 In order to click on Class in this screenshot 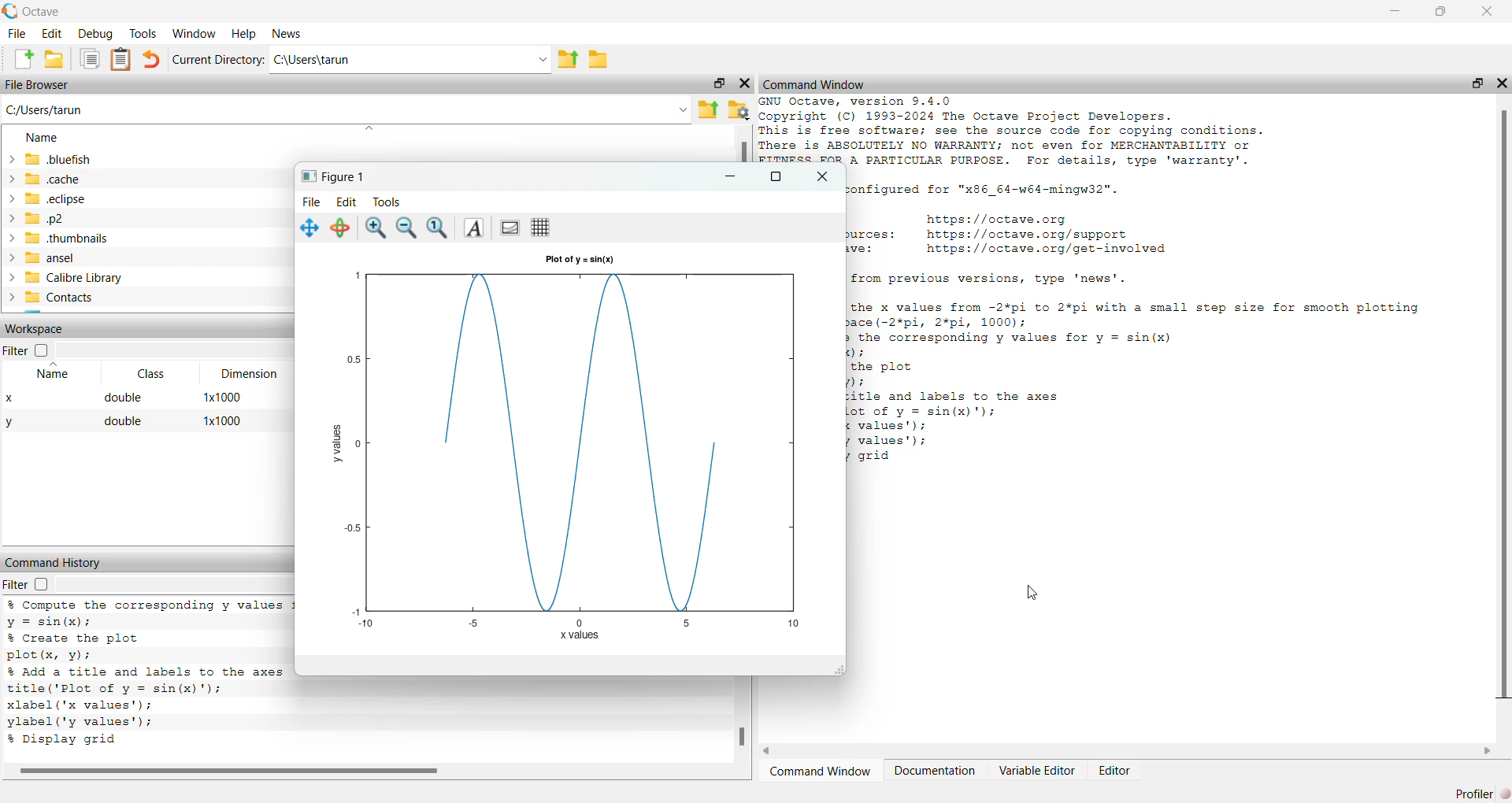, I will do `click(151, 373)`.